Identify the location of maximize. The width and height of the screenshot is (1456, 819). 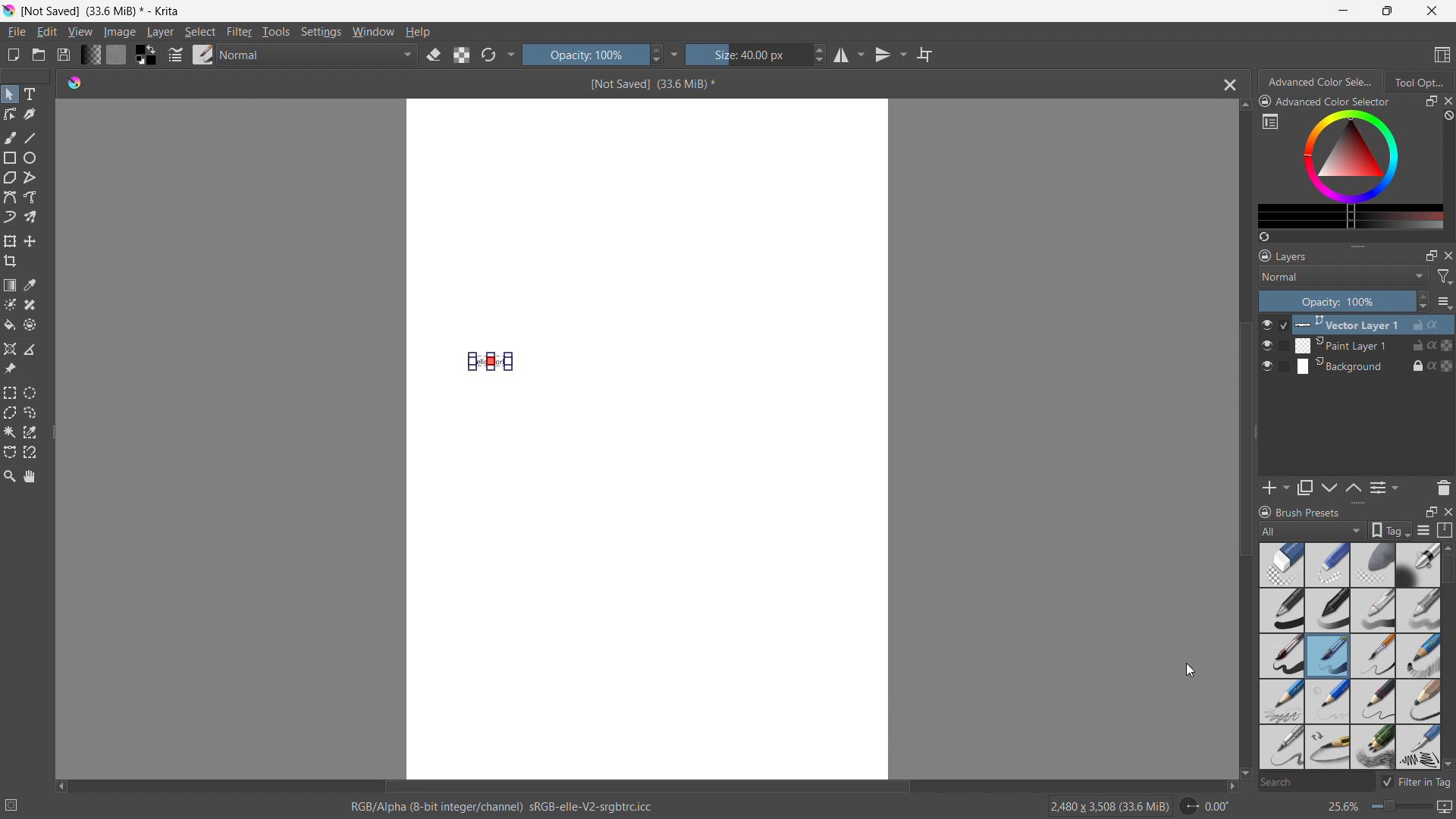
(1431, 255).